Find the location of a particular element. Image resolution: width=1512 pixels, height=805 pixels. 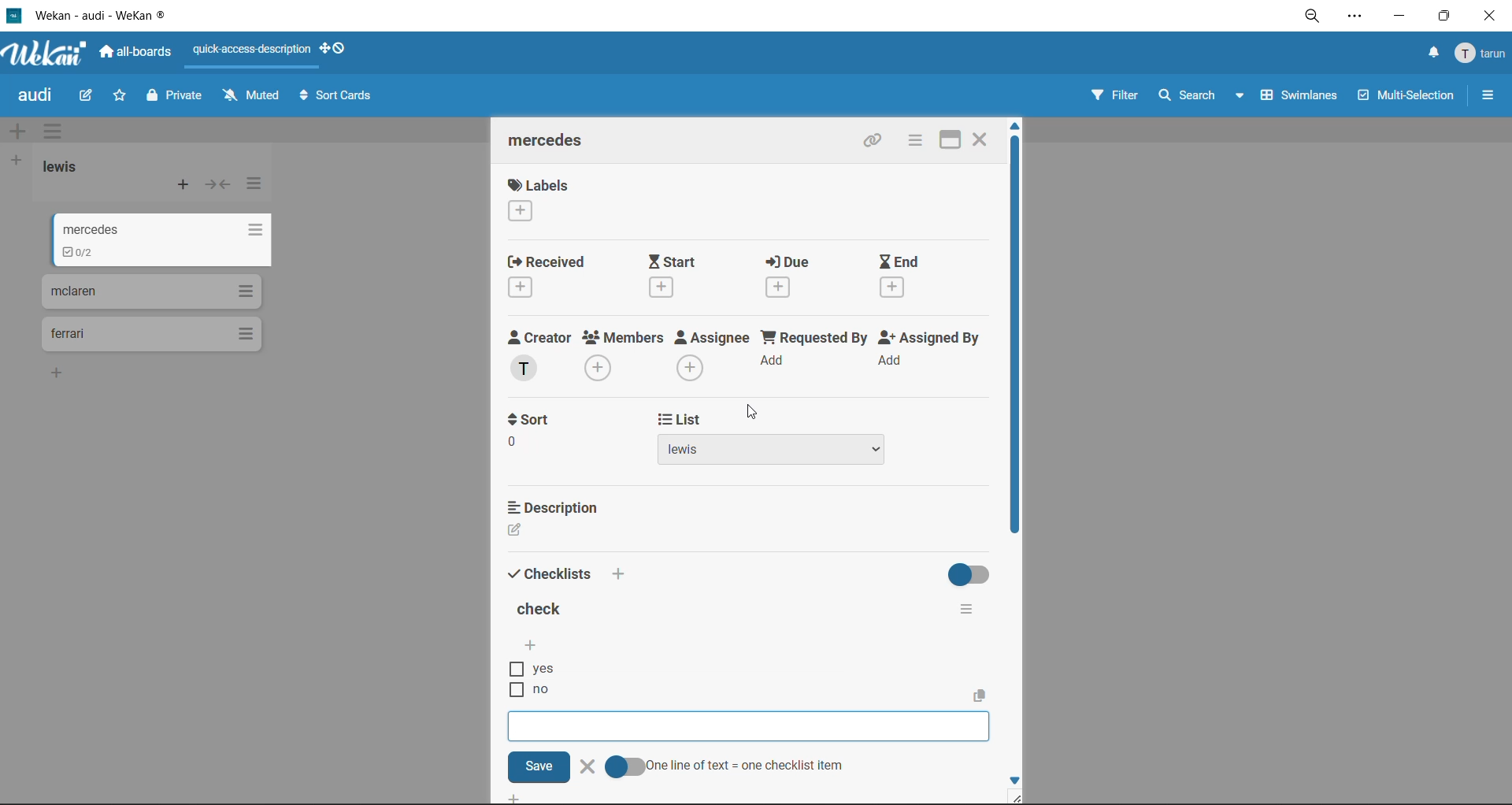

vertical scroll bar is located at coordinates (1014, 350).